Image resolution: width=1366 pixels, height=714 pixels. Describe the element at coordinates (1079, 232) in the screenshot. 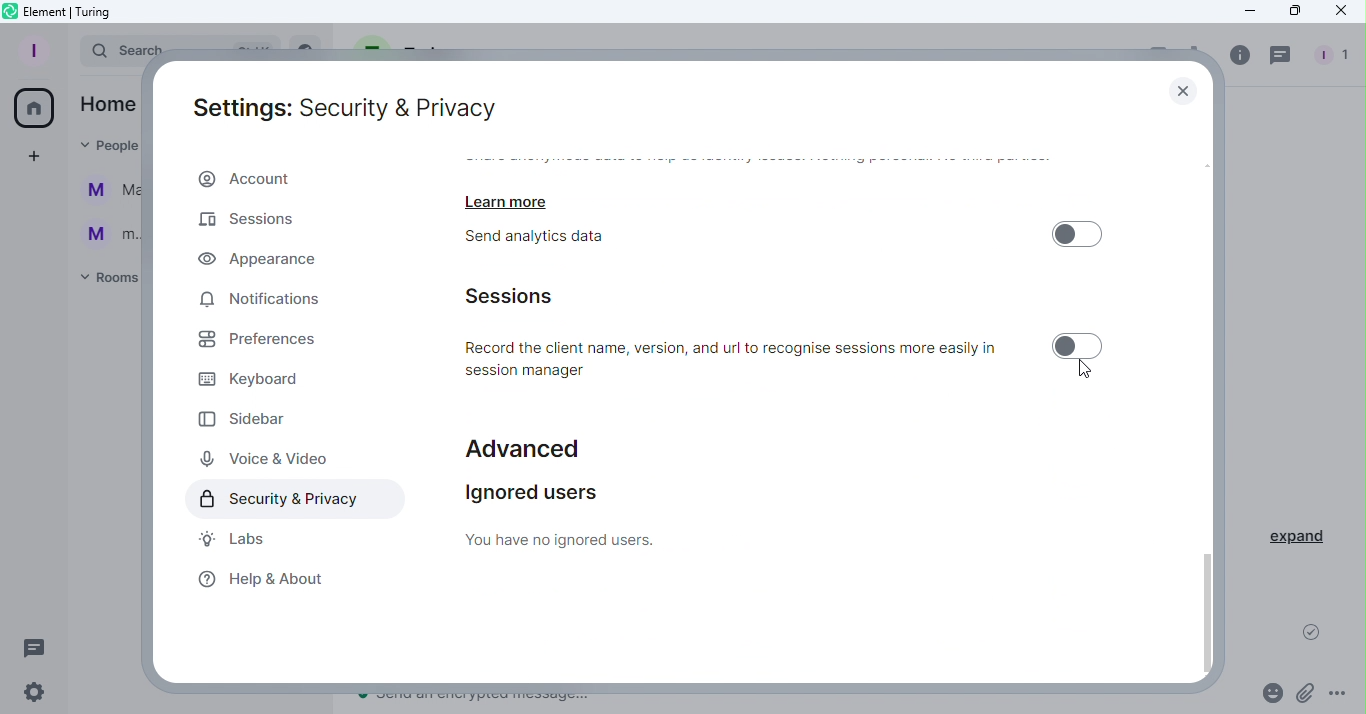

I see `Toggle` at that location.